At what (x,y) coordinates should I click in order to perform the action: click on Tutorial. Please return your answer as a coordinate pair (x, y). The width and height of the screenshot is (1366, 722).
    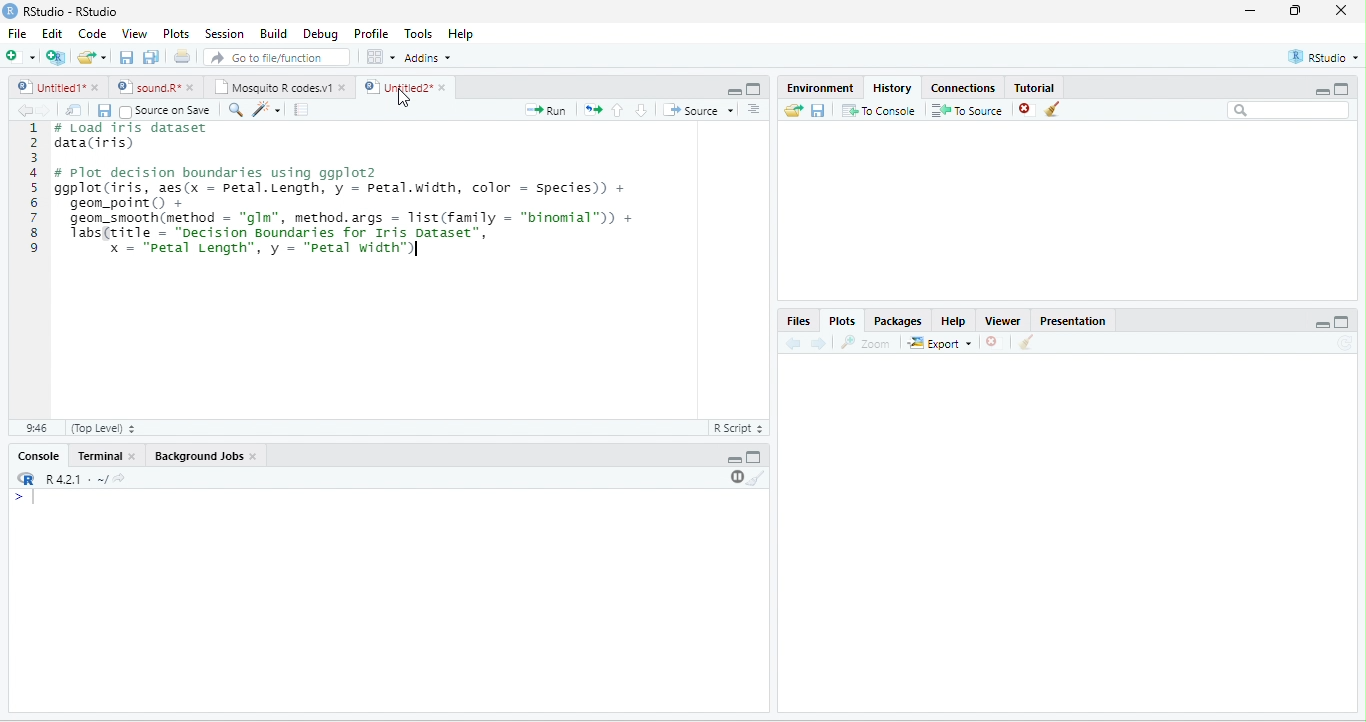
    Looking at the image, I should click on (1035, 88).